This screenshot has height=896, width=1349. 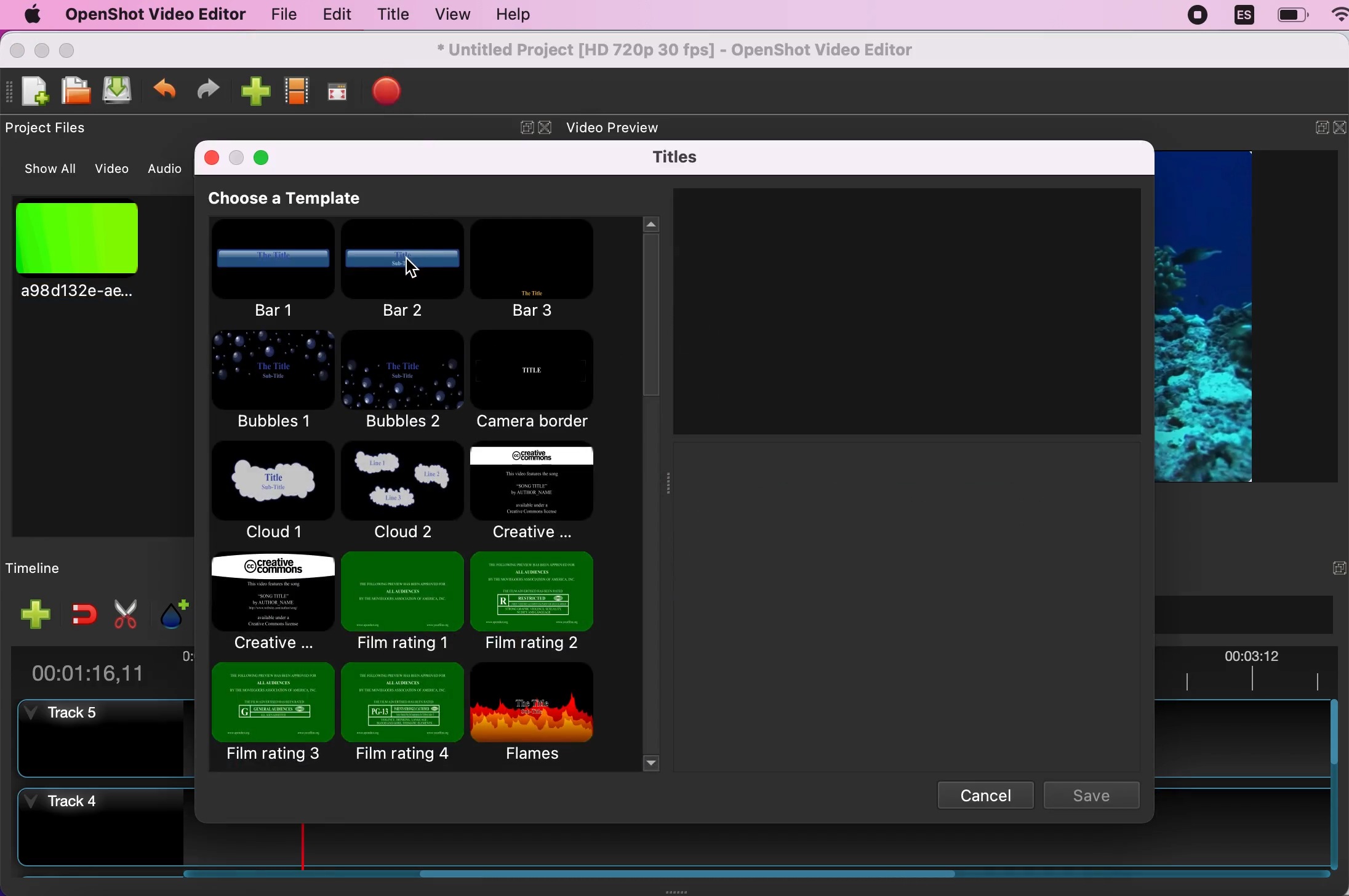 I want to click on time duration, so click(x=100, y=668).